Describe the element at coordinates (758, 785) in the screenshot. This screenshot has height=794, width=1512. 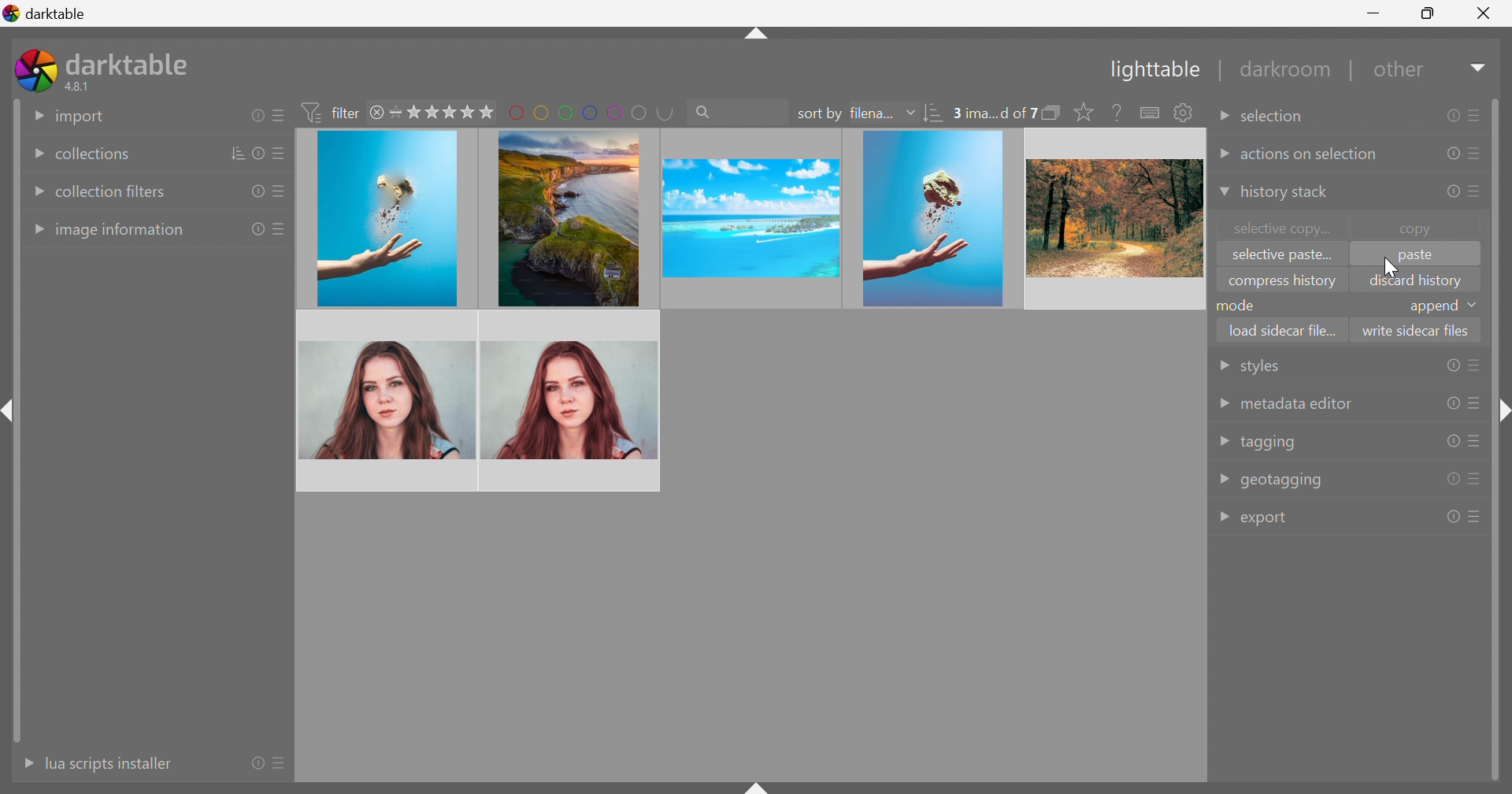
I see `shift+ctrl+b` at that location.